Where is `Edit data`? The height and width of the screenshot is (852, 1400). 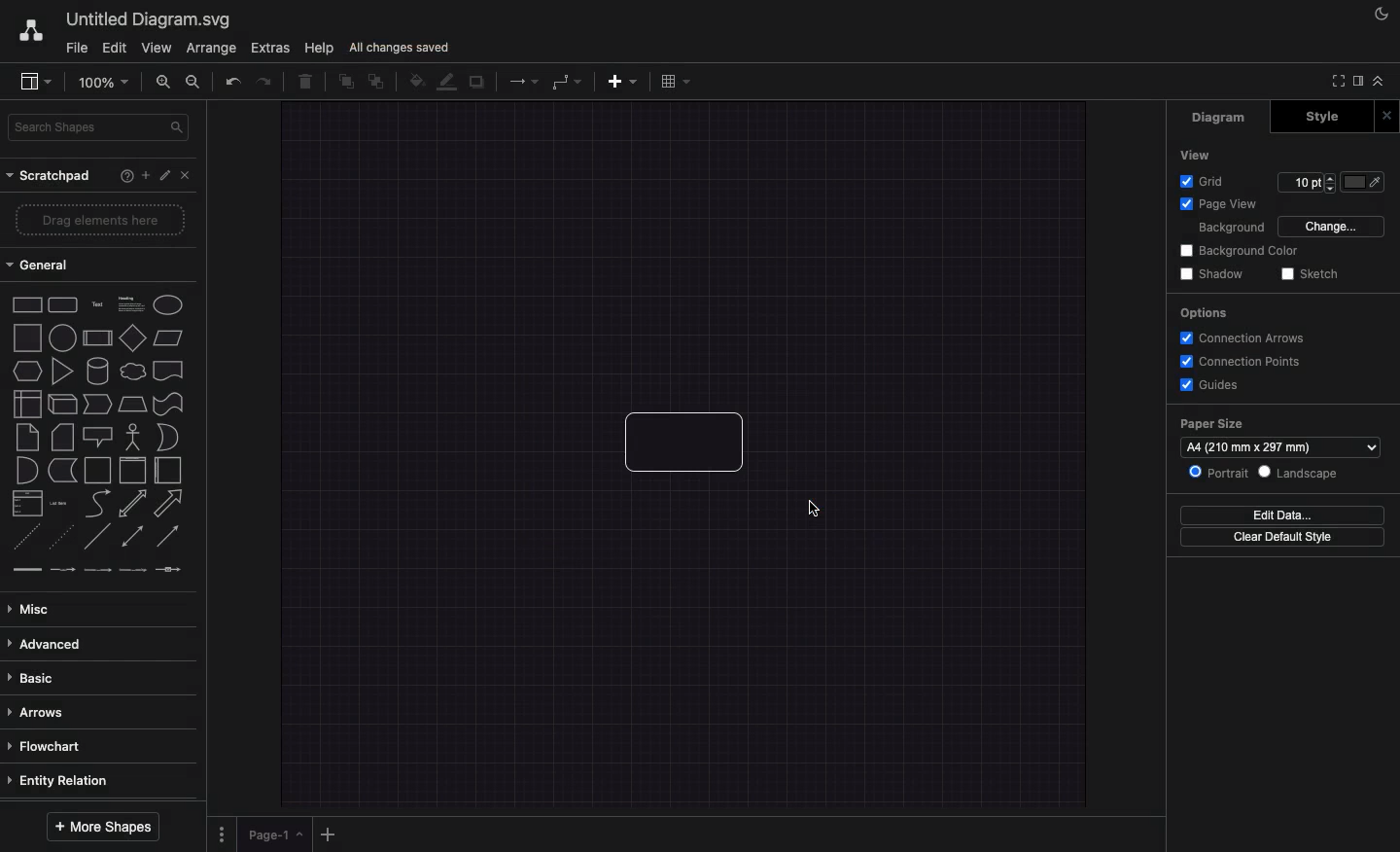
Edit data is located at coordinates (1286, 514).